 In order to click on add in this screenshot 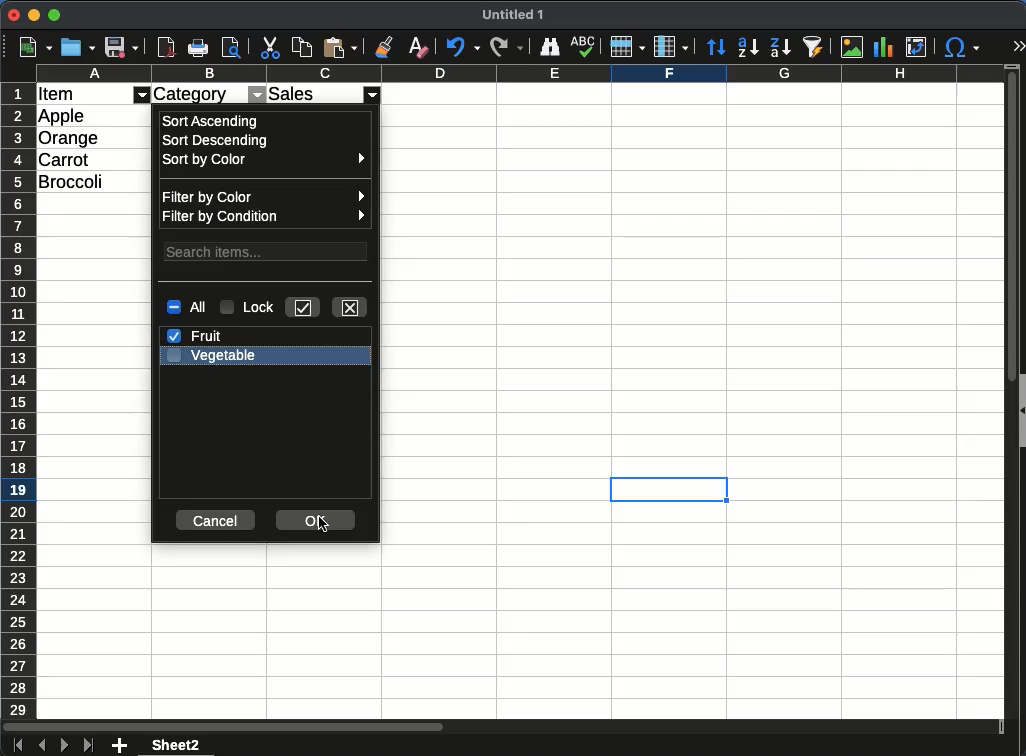, I will do `click(119, 746)`.